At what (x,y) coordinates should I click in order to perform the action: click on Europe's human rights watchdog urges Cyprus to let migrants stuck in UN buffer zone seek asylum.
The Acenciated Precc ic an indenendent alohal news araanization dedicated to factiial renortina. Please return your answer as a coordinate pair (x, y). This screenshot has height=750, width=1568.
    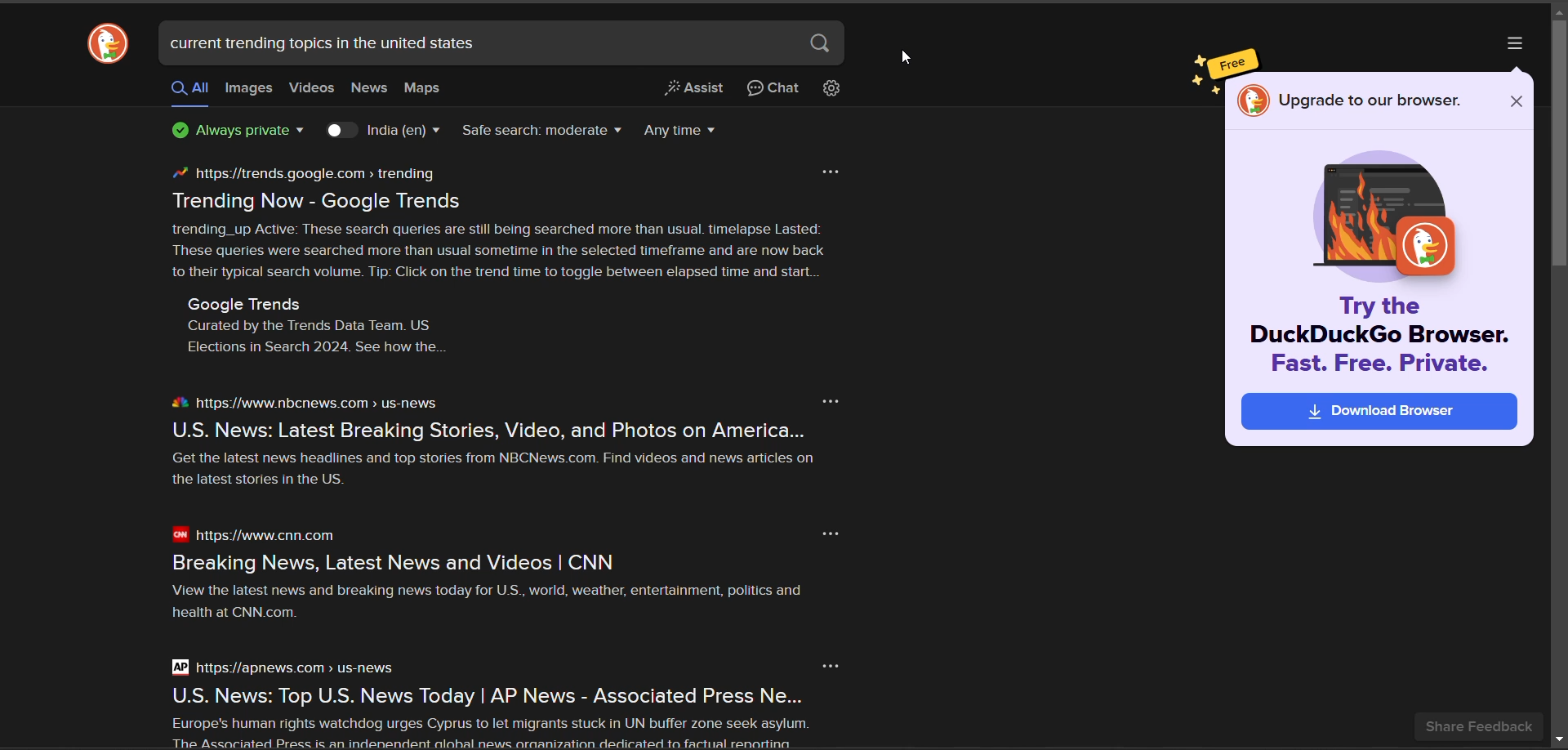
    Looking at the image, I should click on (497, 731).